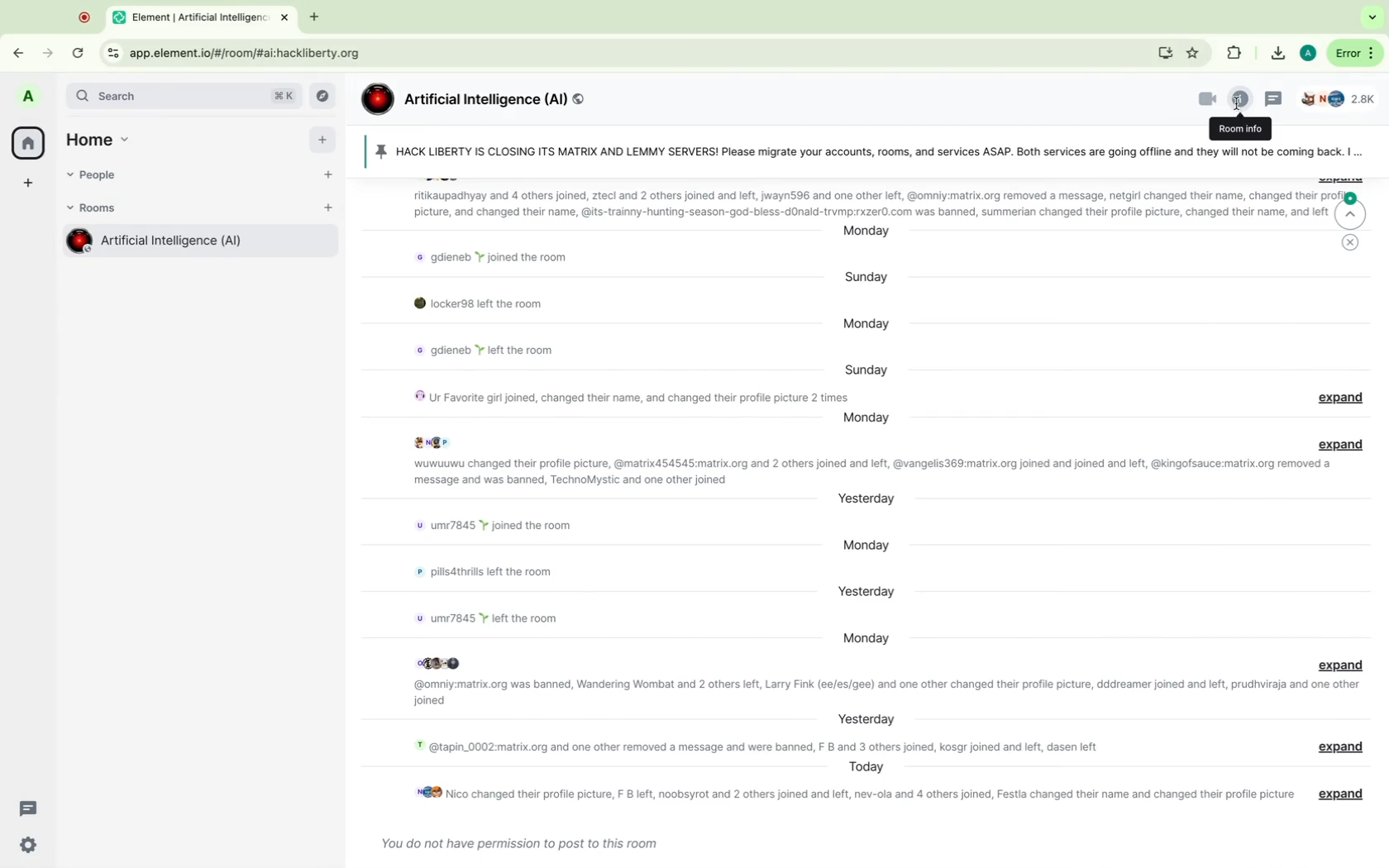  I want to click on message, so click(516, 840).